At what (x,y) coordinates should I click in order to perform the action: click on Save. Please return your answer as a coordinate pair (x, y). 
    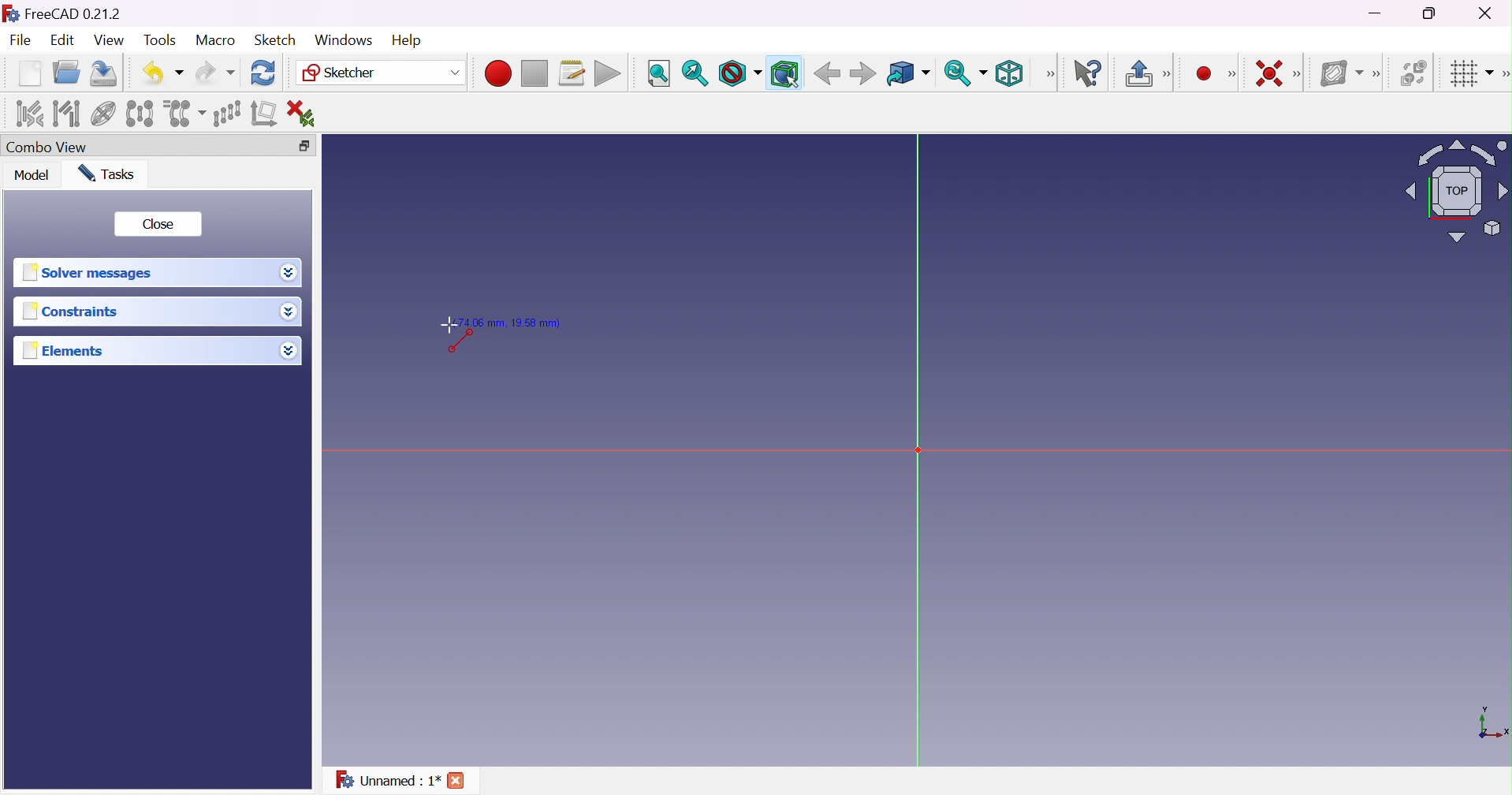
    Looking at the image, I should click on (106, 73).